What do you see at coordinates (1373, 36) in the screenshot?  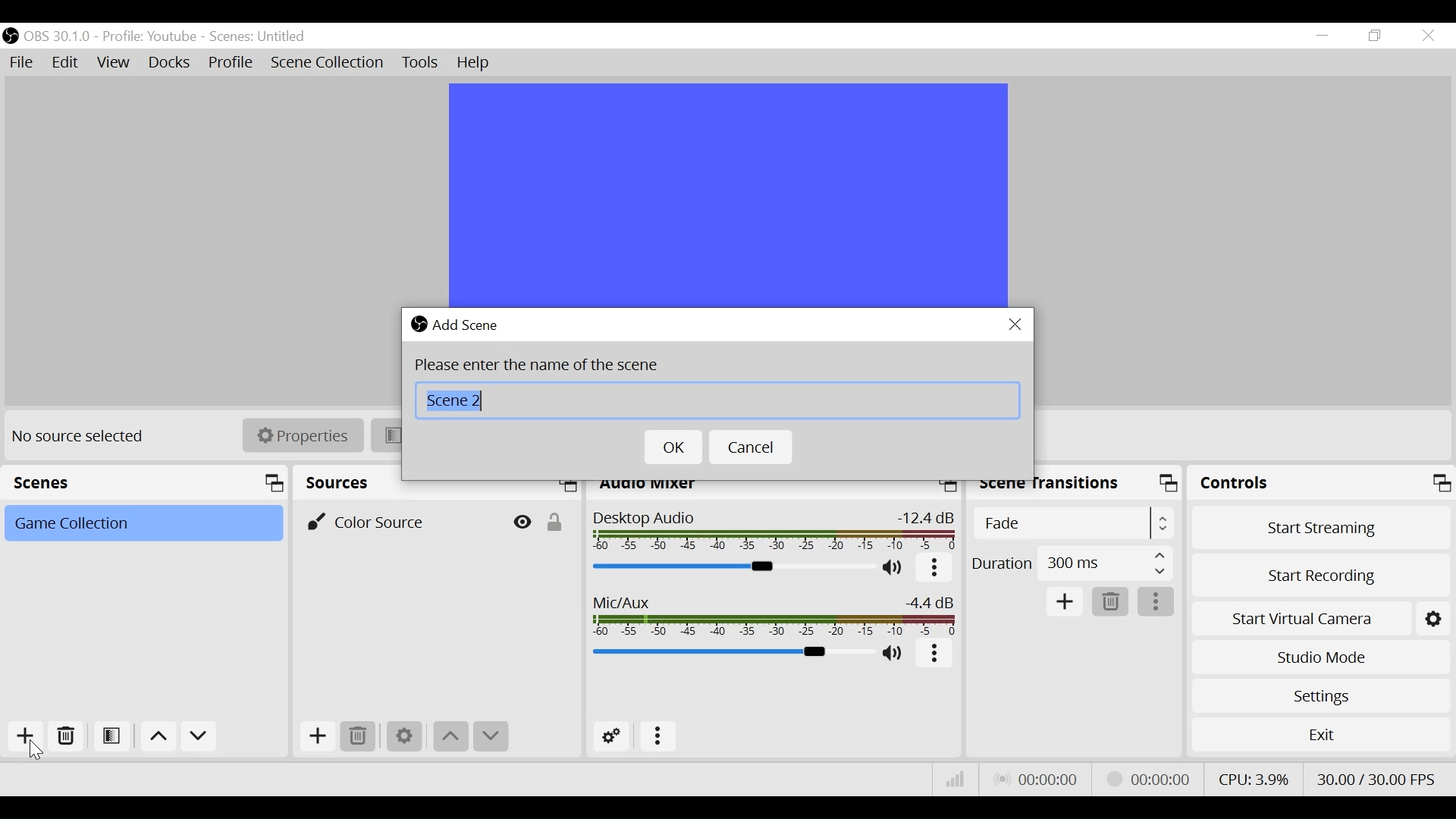 I see `Restore` at bounding box center [1373, 36].